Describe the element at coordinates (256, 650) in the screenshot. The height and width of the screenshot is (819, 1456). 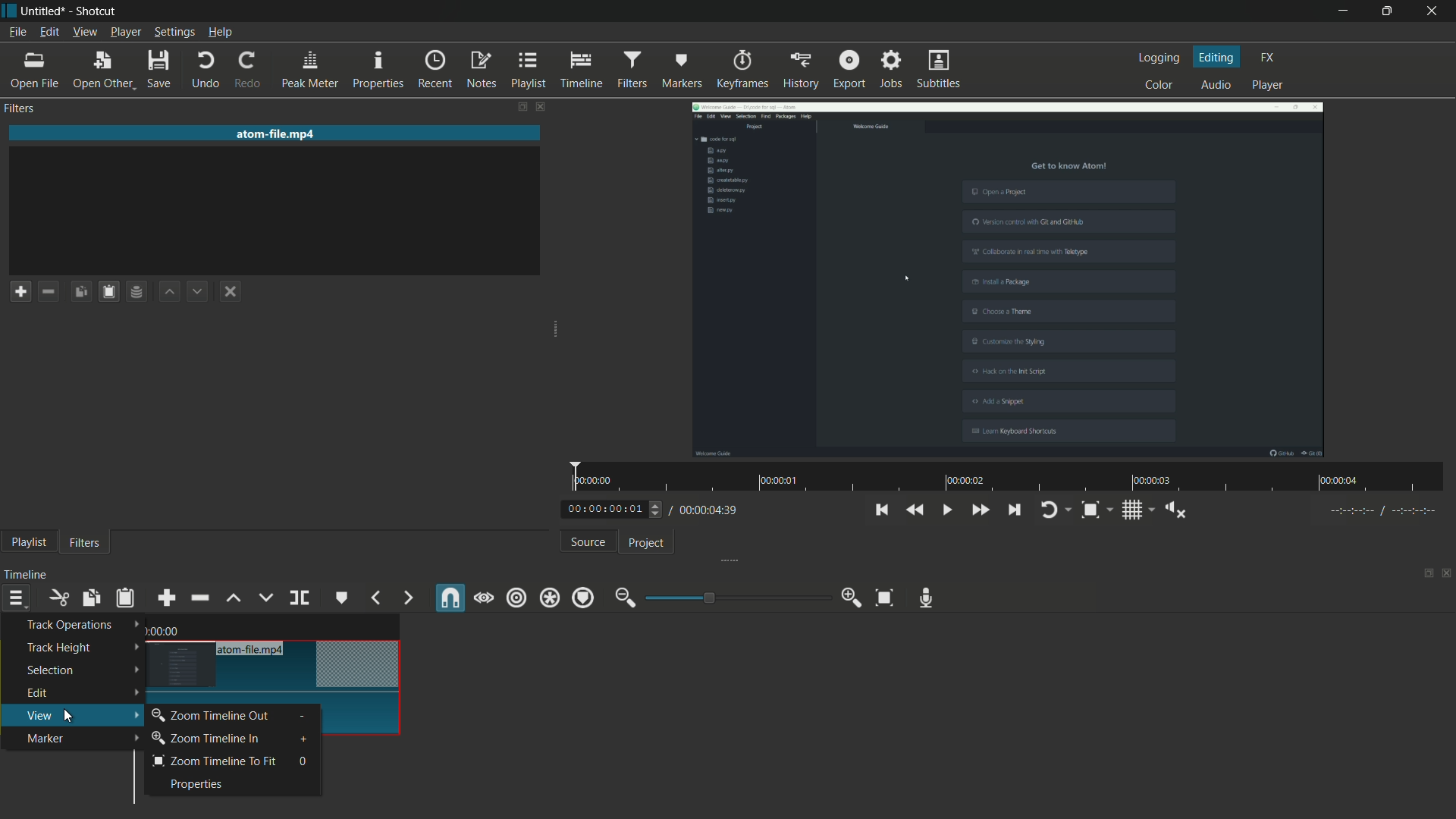
I see `atom-file.mp4` at that location.